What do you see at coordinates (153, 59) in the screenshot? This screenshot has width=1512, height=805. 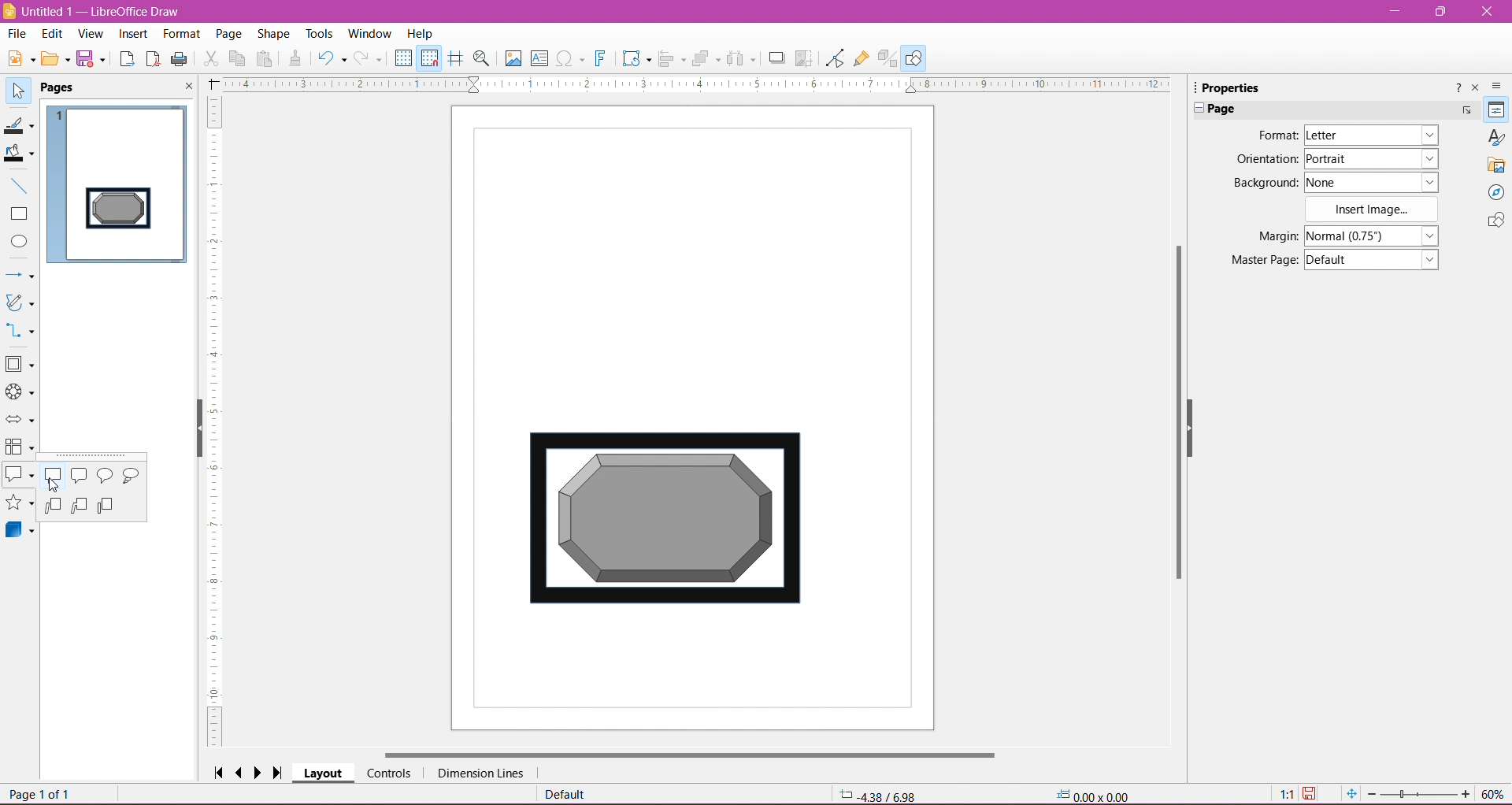 I see `Export directly as PDF` at bounding box center [153, 59].